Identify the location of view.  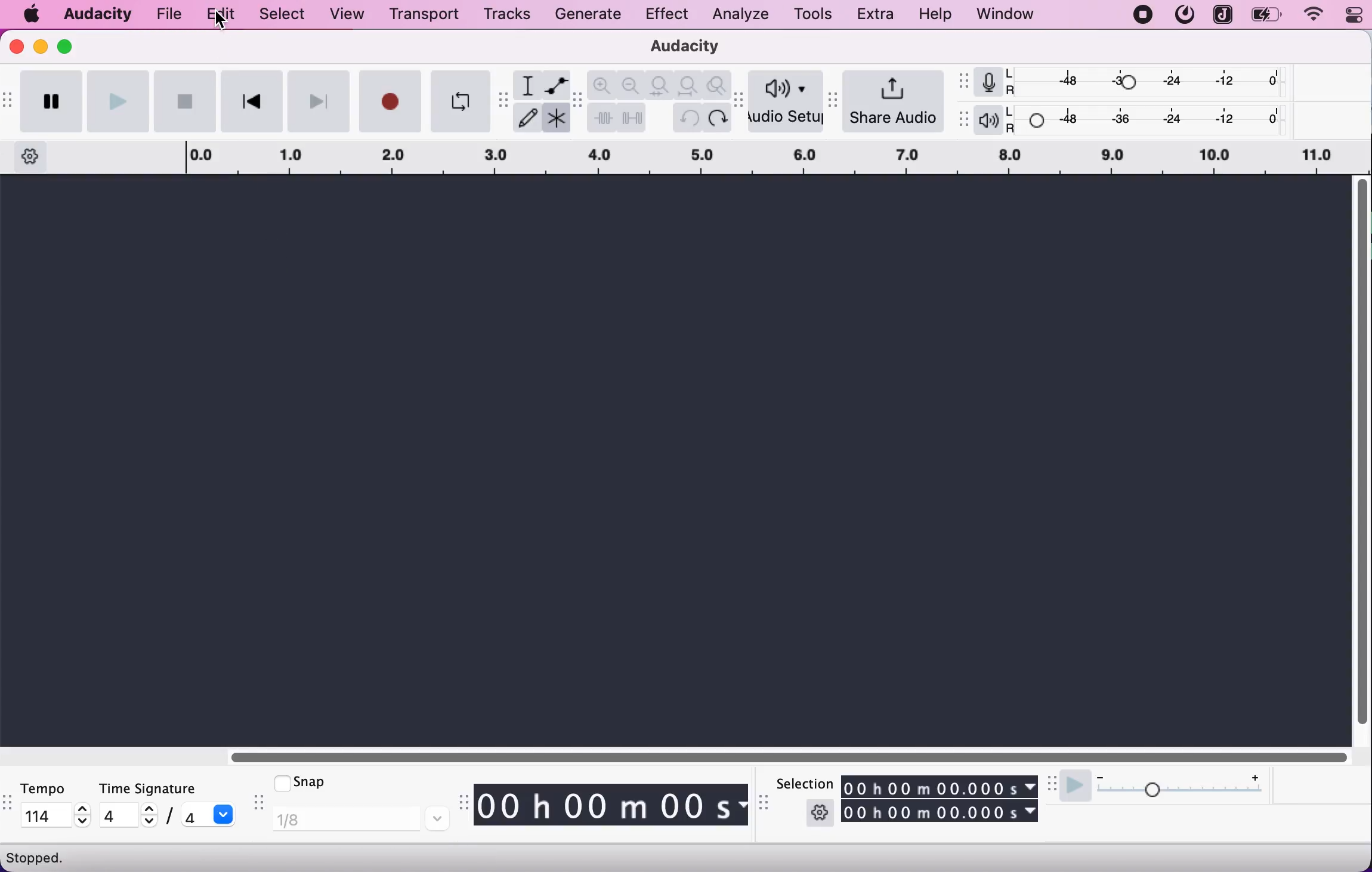
(348, 15).